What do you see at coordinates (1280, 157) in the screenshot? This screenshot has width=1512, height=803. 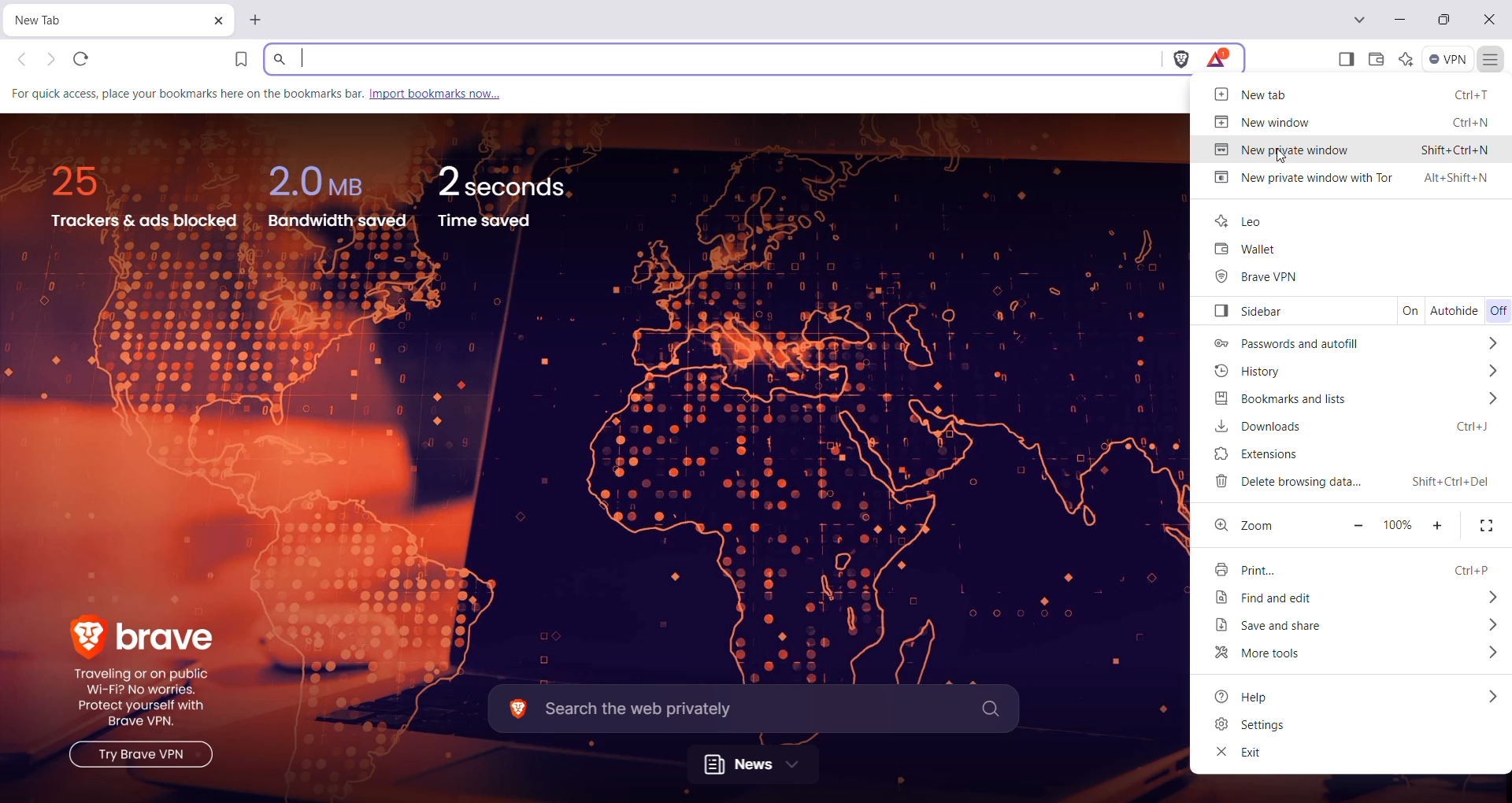 I see `cursor` at bounding box center [1280, 157].